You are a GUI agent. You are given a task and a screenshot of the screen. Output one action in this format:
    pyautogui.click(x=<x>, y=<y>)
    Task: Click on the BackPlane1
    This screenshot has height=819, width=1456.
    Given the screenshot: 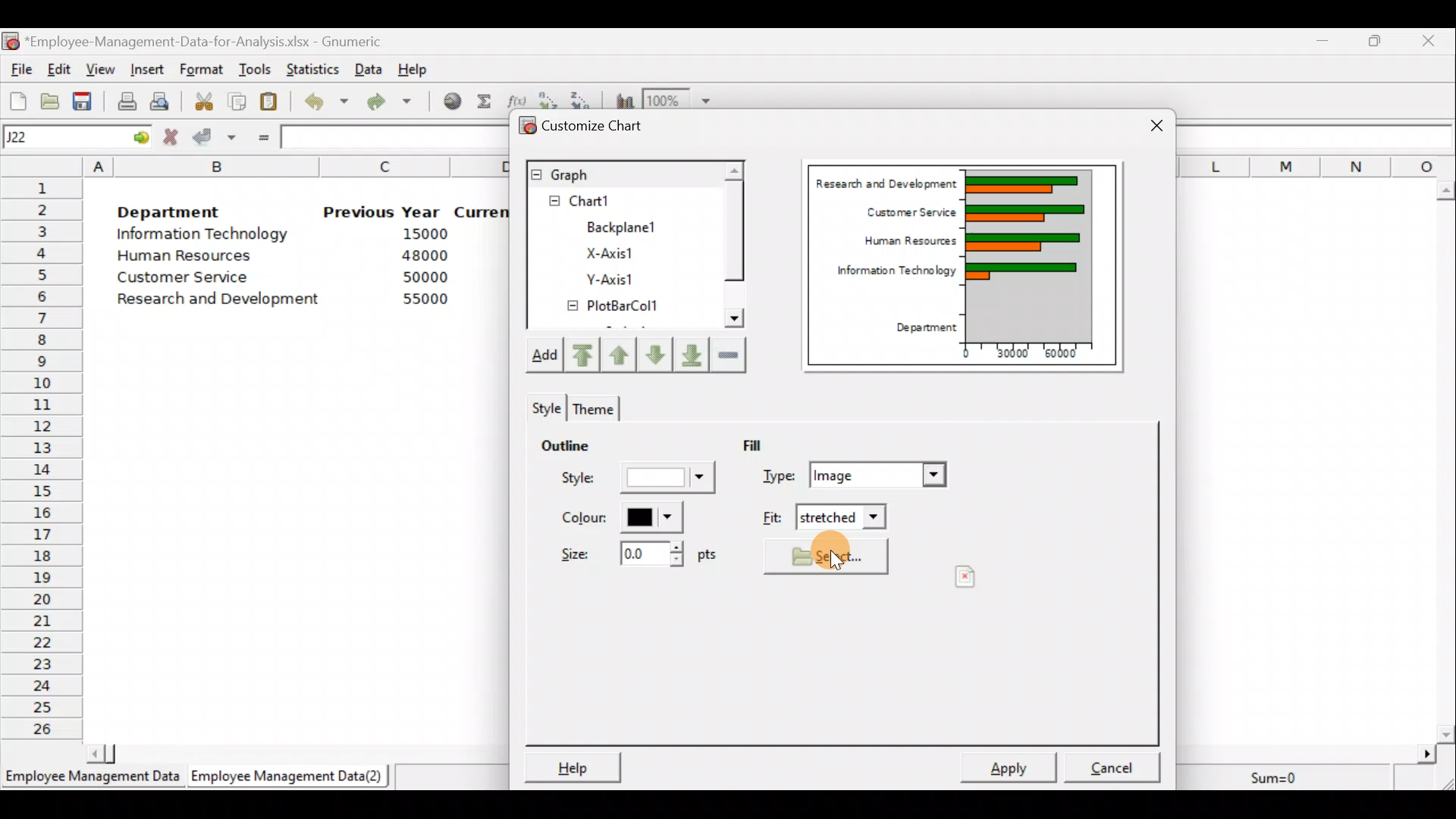 What is the action you would take?
    pyautogui.click(x=631, y=225)
    